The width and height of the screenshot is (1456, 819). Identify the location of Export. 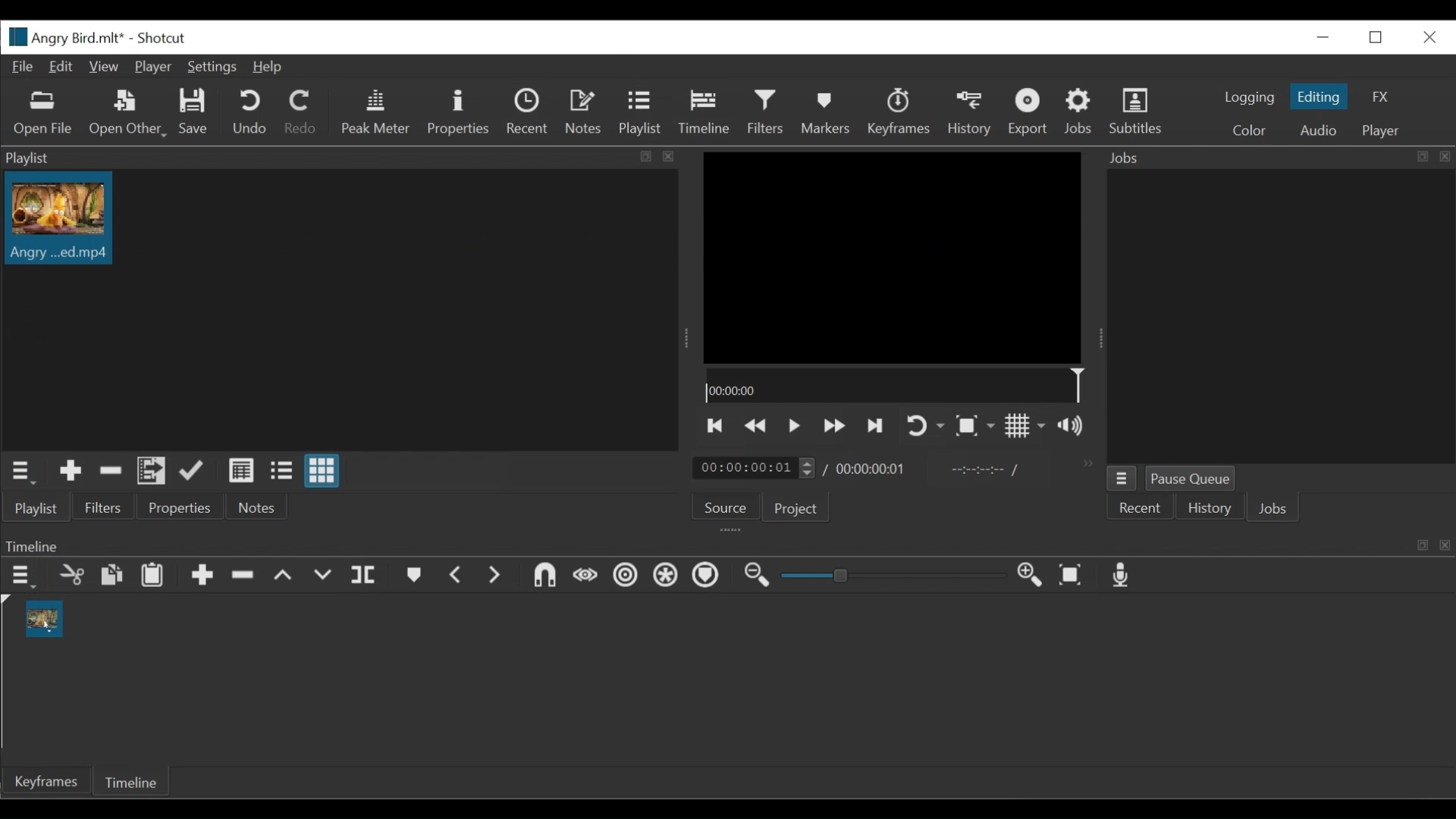
(1028, 114).